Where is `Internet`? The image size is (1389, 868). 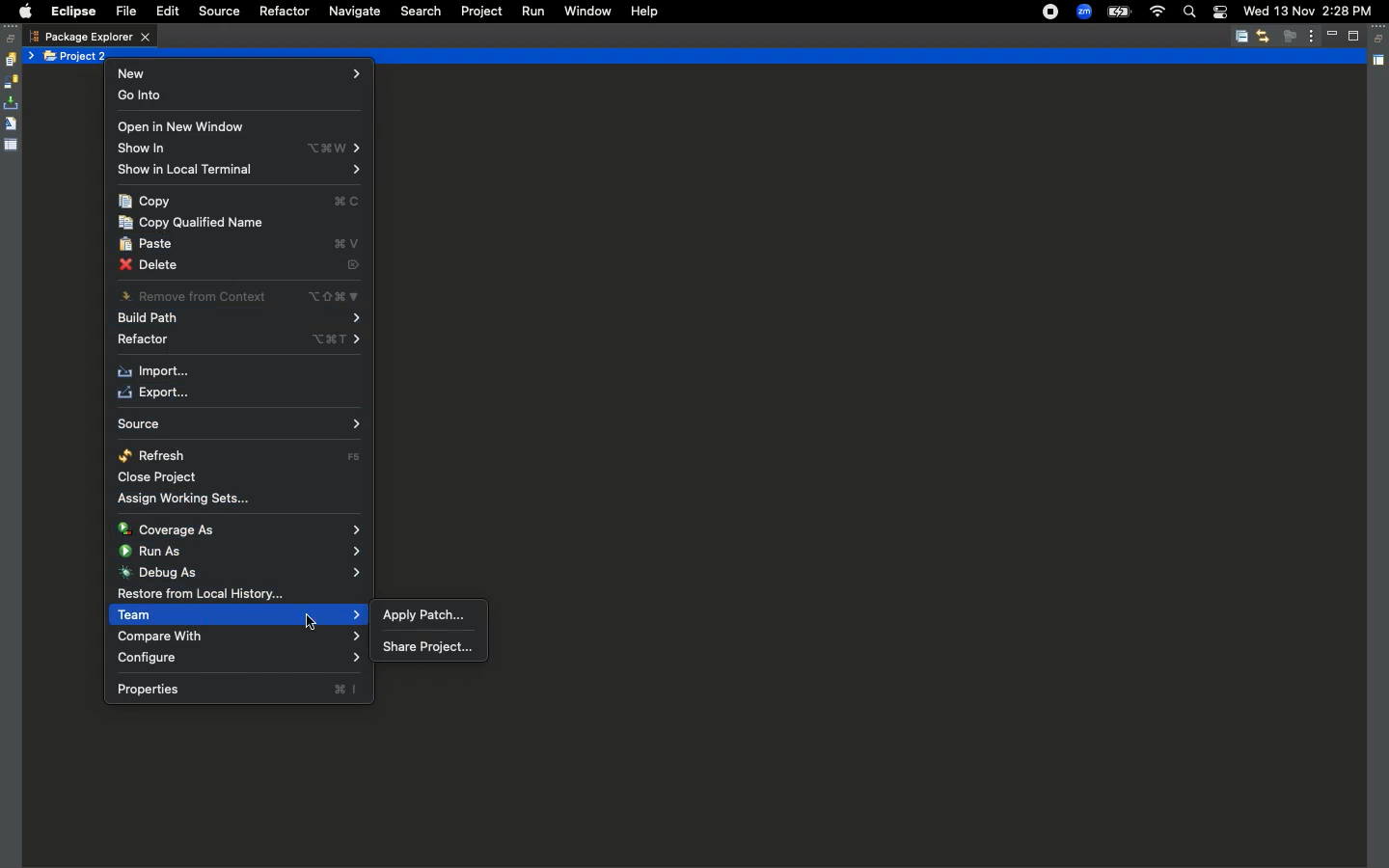 Internet is located at coordinates (1157, 13).